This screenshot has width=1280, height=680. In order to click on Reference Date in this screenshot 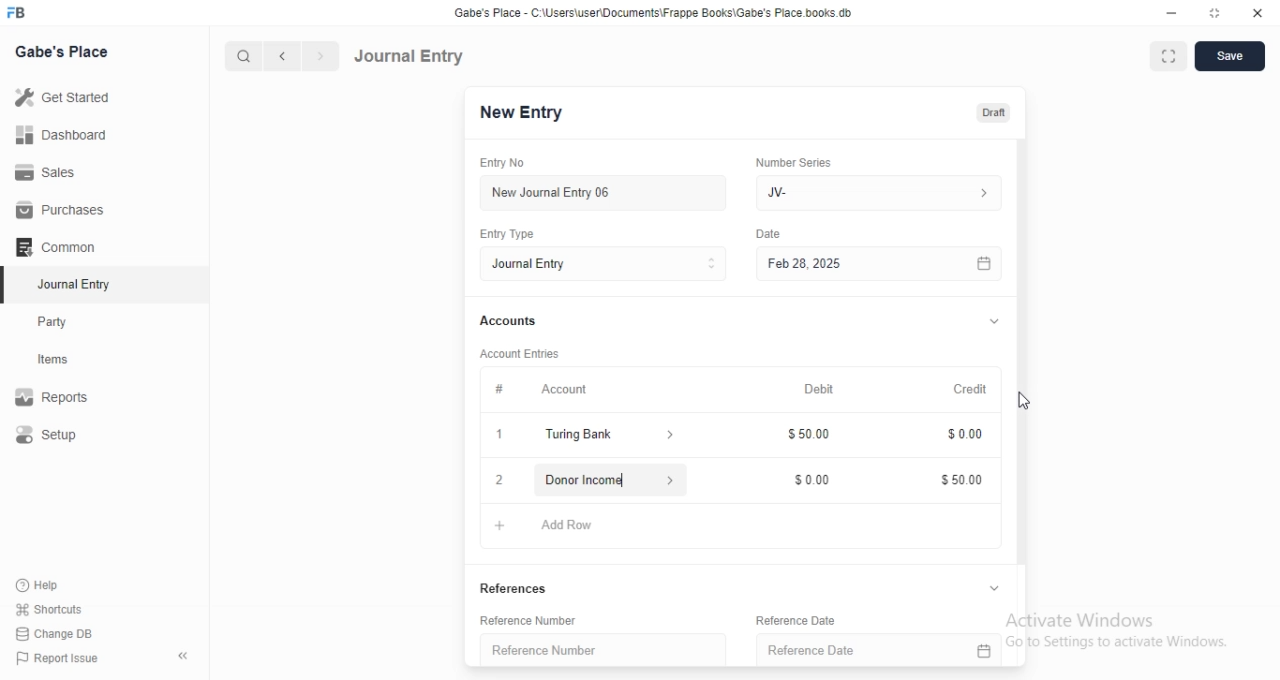, I will do `click(807, 620)`.